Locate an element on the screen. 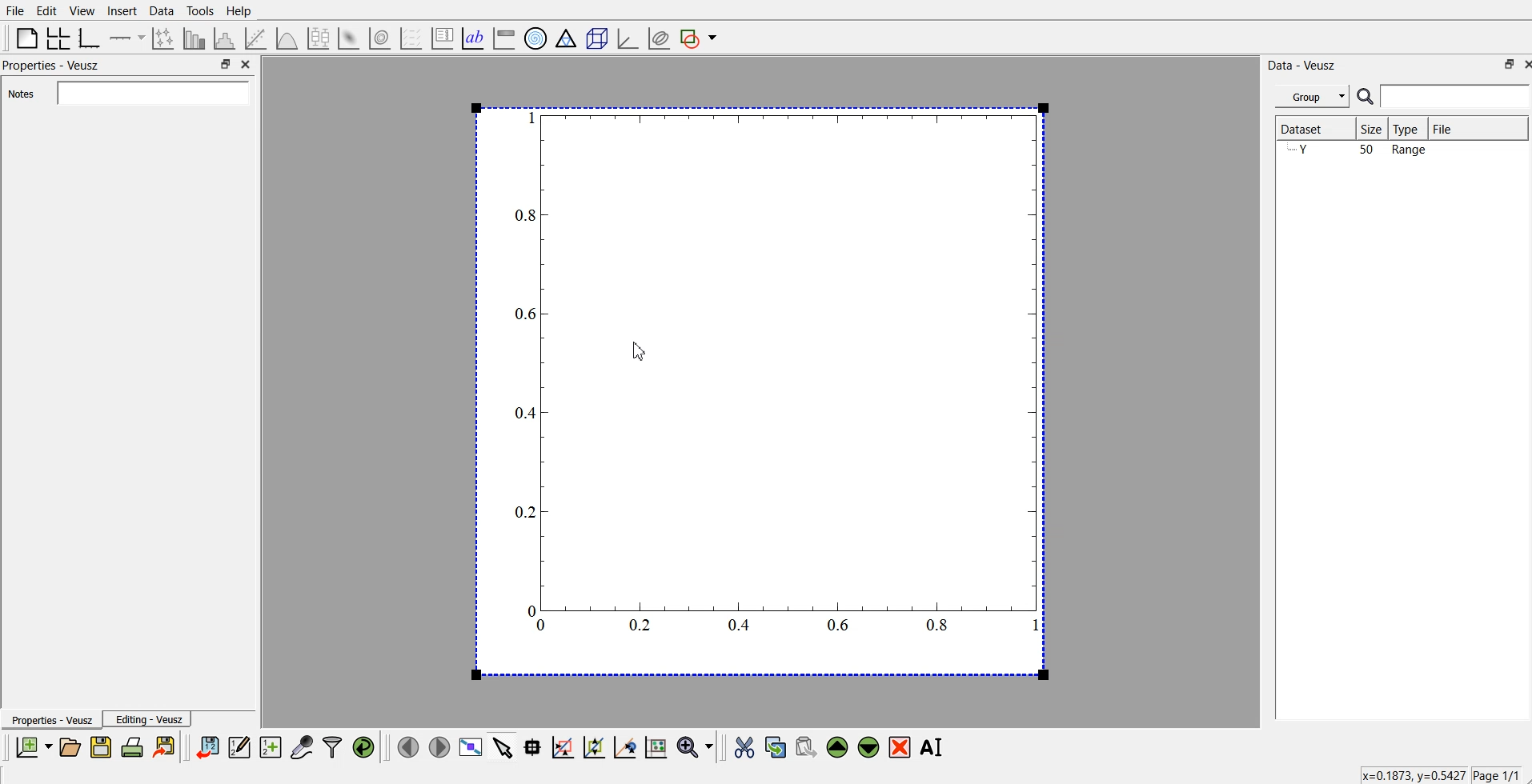  move the selected widgets down is located at coordinates (868, 747).